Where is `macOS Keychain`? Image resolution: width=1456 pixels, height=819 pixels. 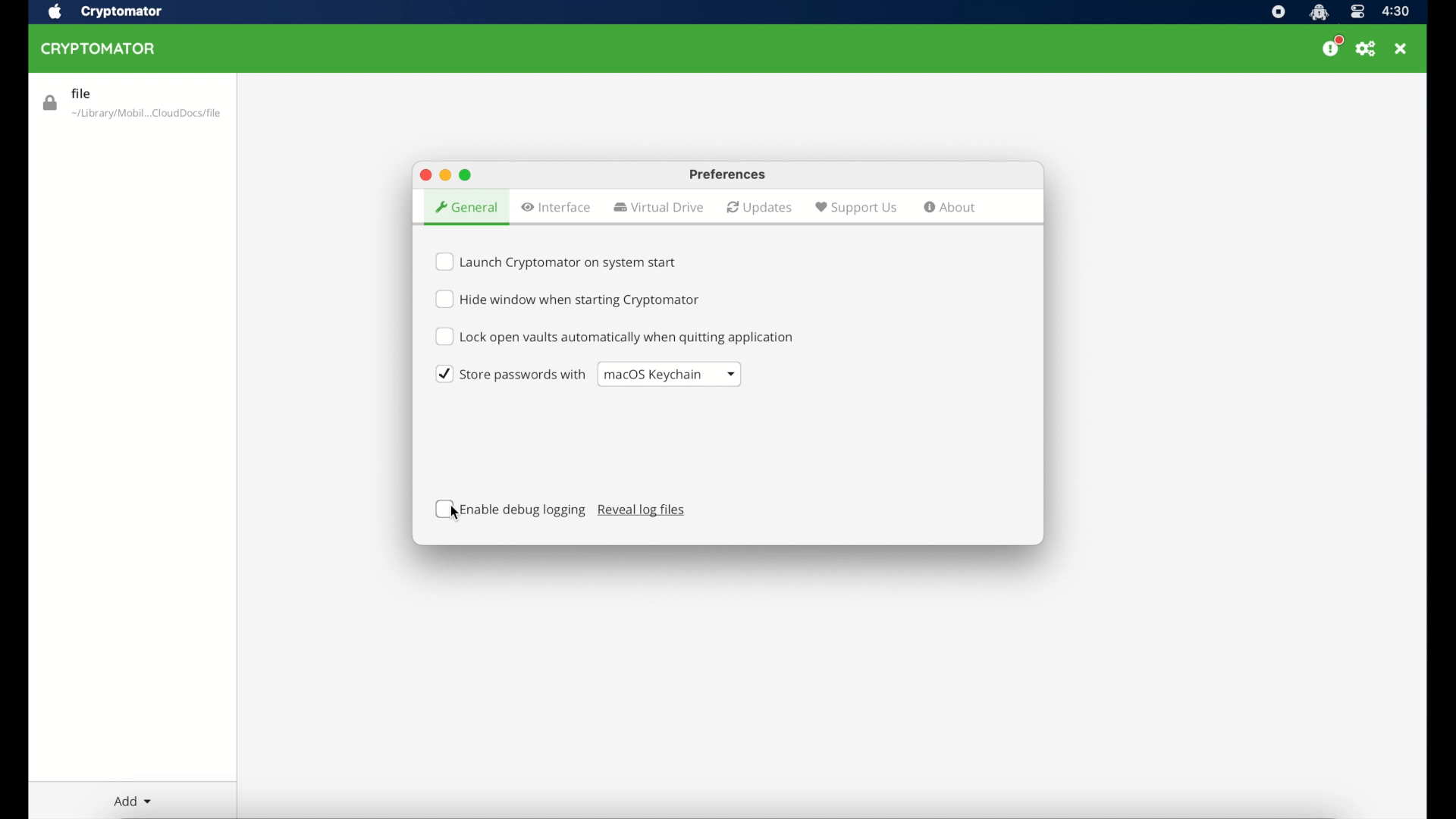 macOS Keychain is located at coordinates (670, 374).